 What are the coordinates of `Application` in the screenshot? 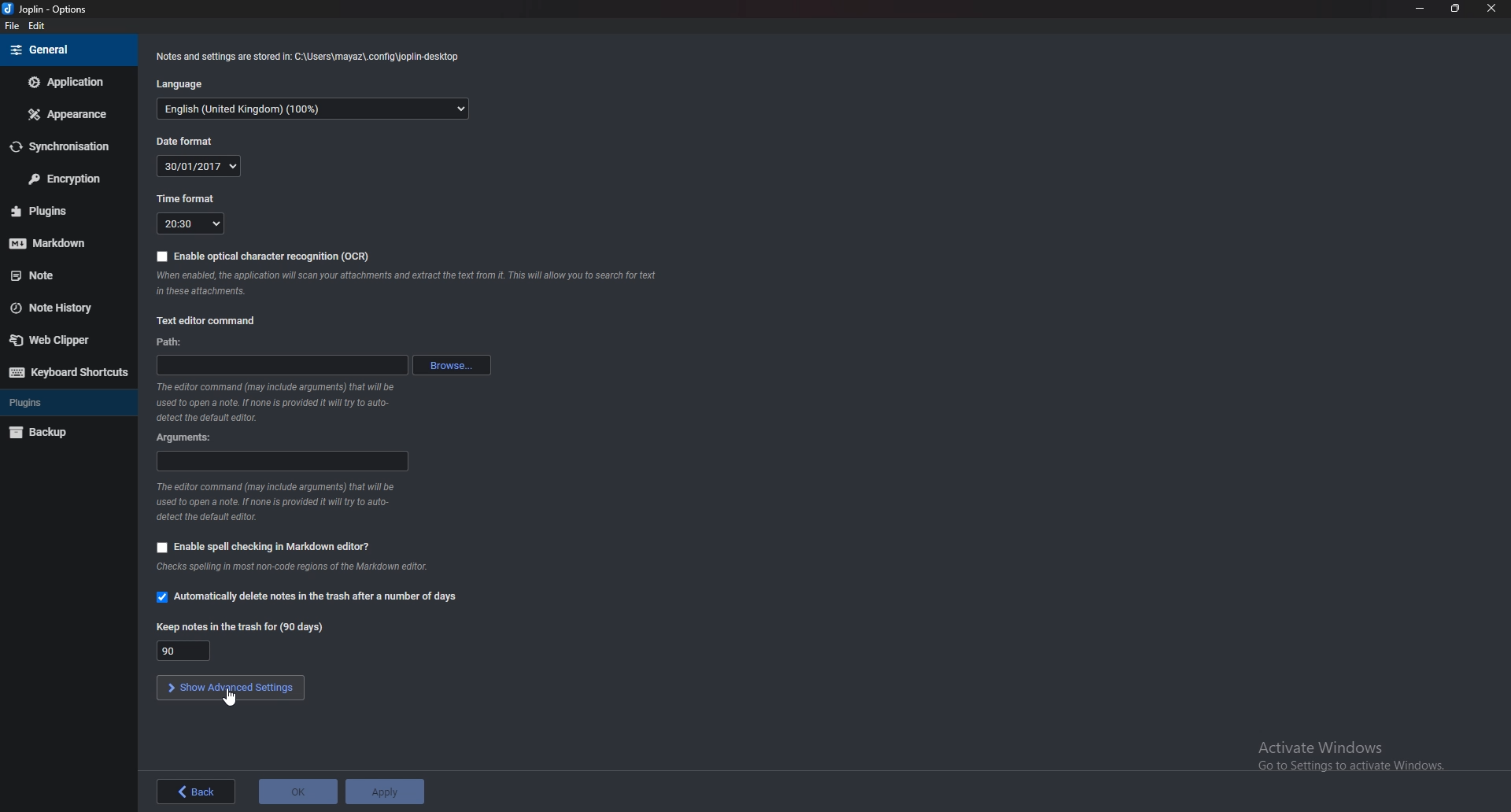 It's located at (68, 83).